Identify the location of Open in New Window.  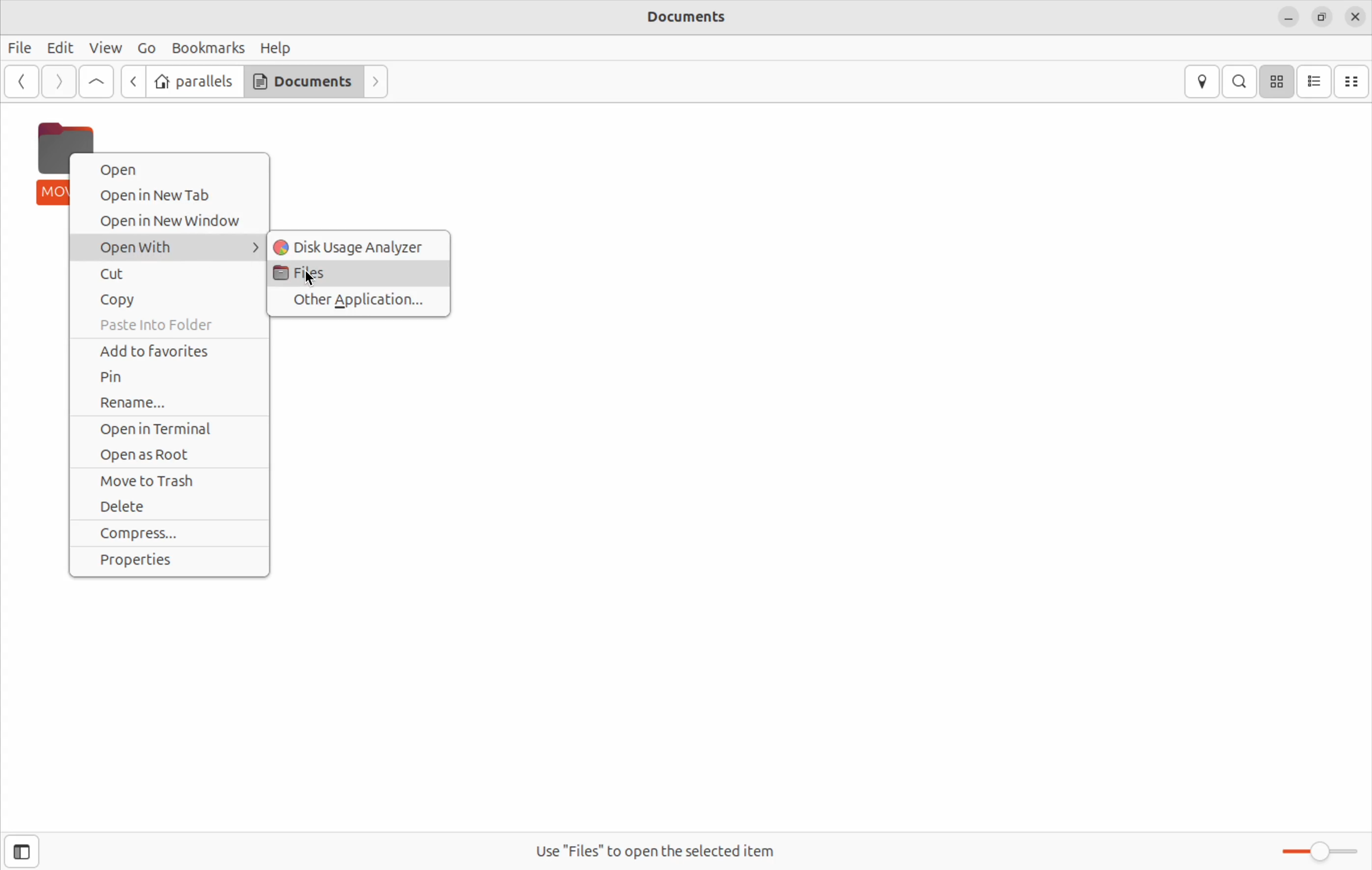
(168, 221).